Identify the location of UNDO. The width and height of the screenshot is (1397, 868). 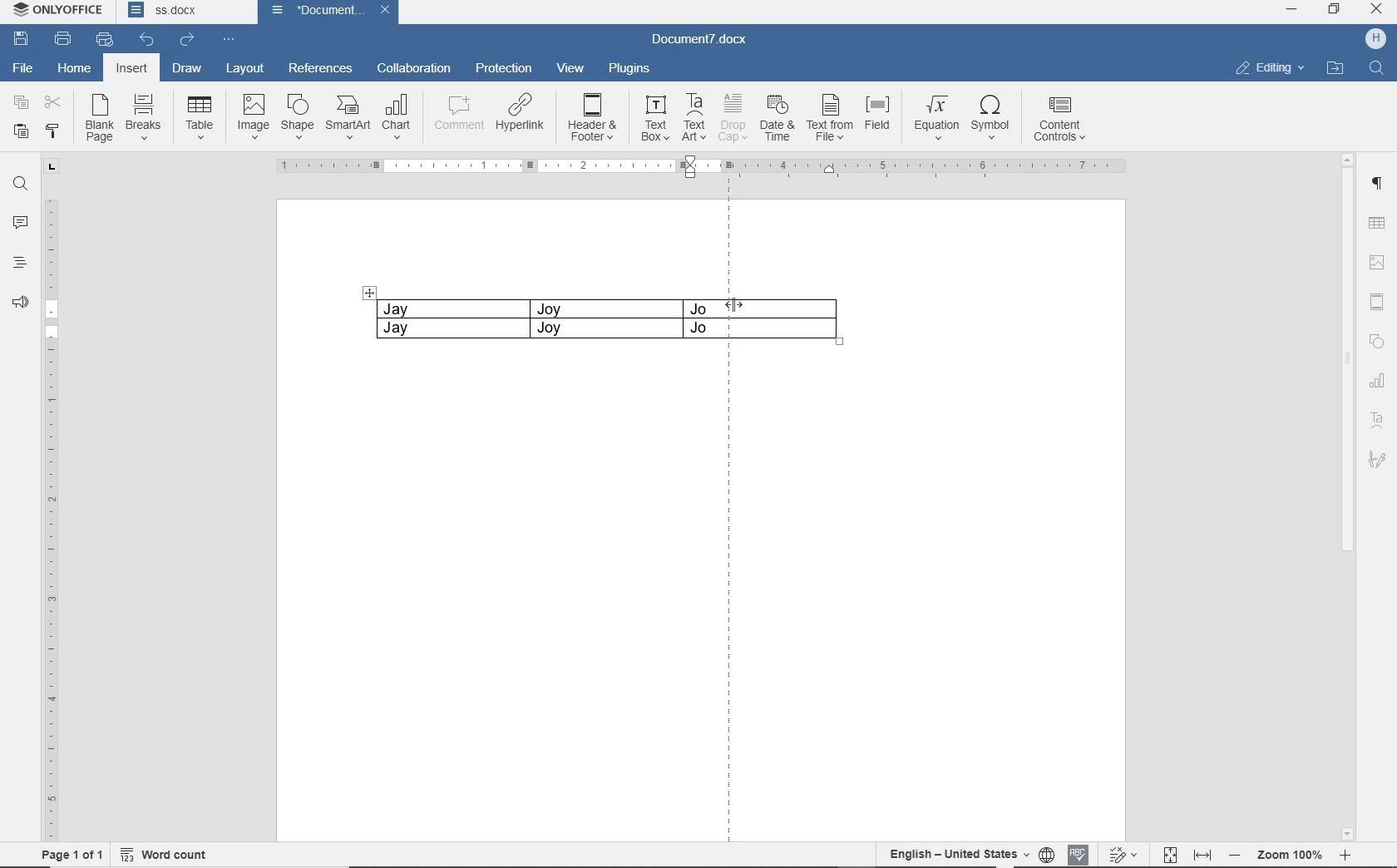
(142, 38).